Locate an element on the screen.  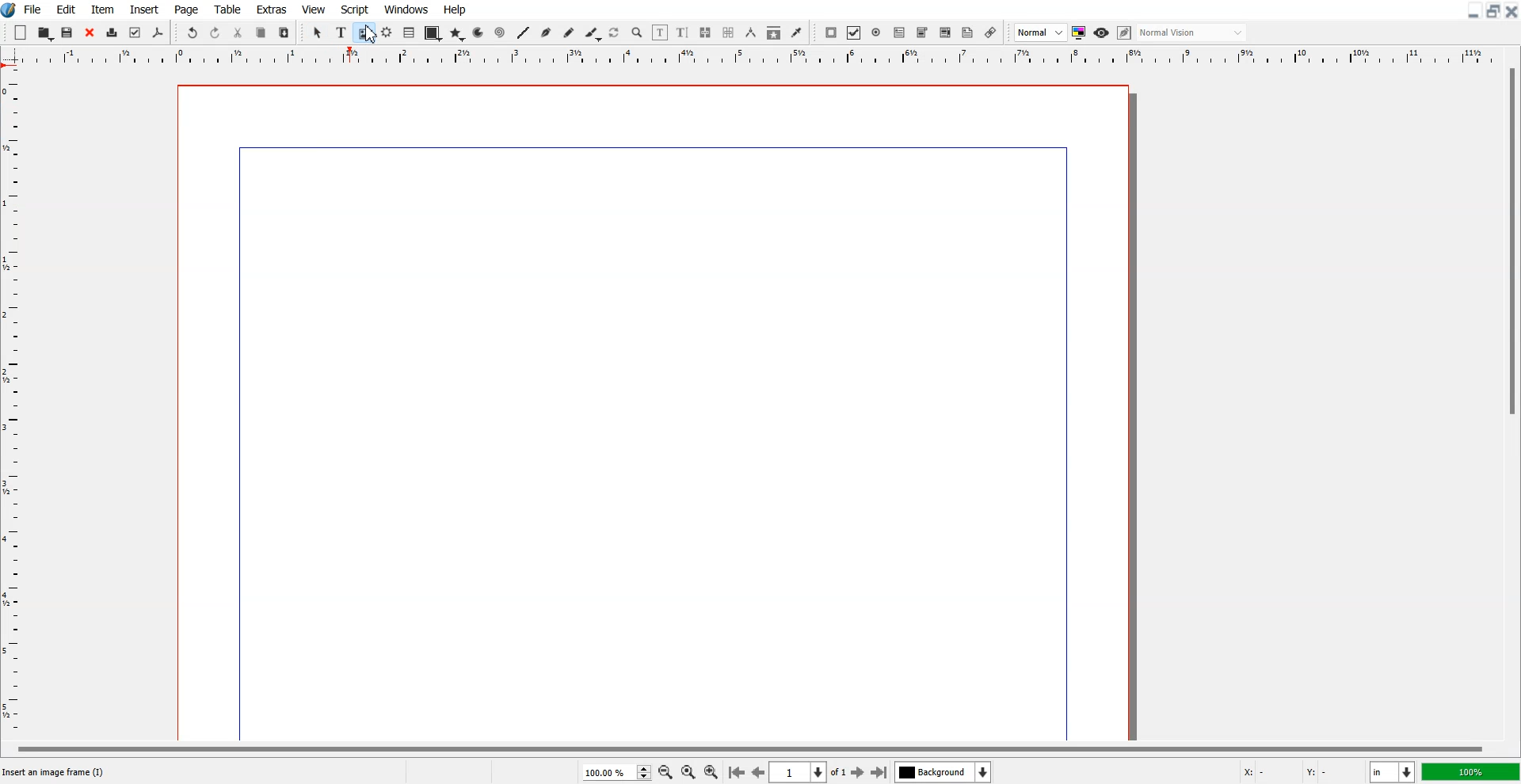
Close is located at coordinates (1511, 11).